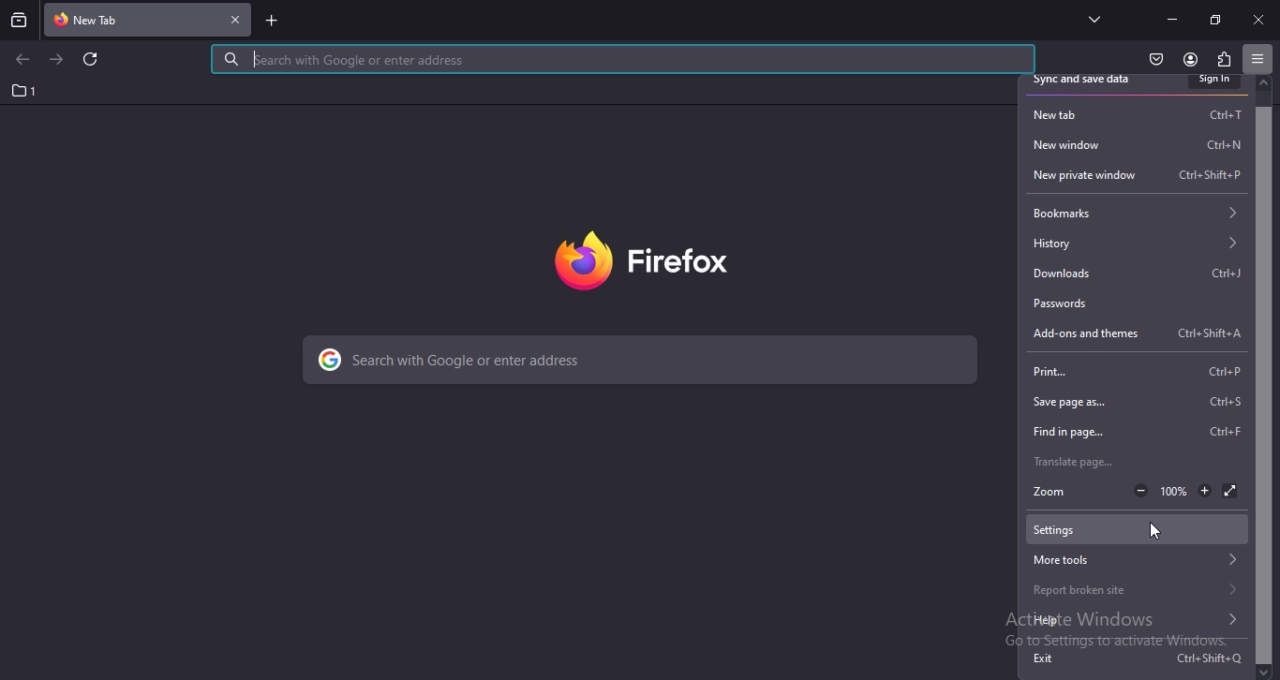 Image resolution: width=1280 pixels, height=680 pixels. What do you see at coordinates (1136, 210) in the screenshot?
I see `bookmarks` at bounding box center [1136, 210].